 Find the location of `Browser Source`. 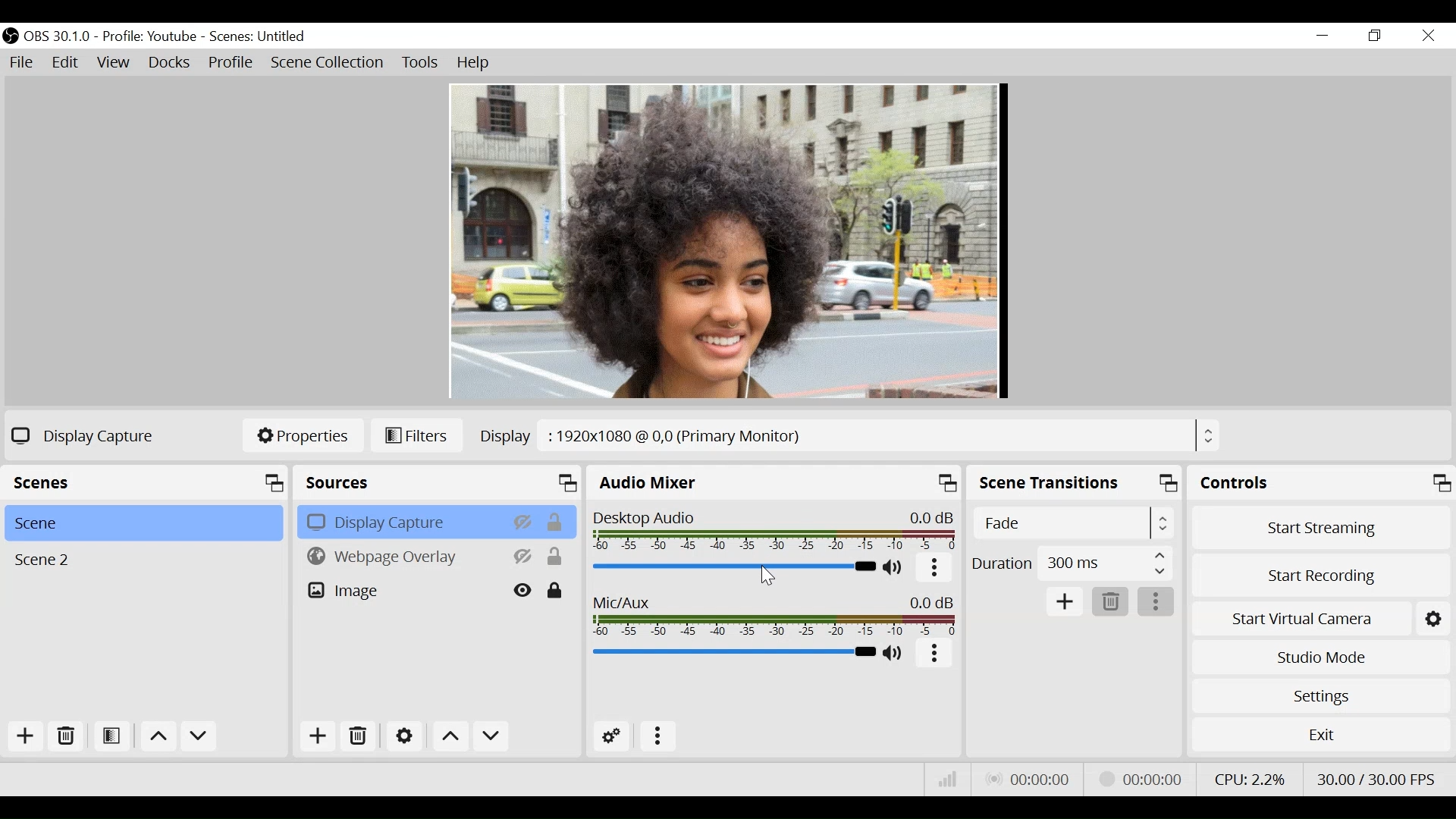

Browser Source is located at coordinates (401, 557).